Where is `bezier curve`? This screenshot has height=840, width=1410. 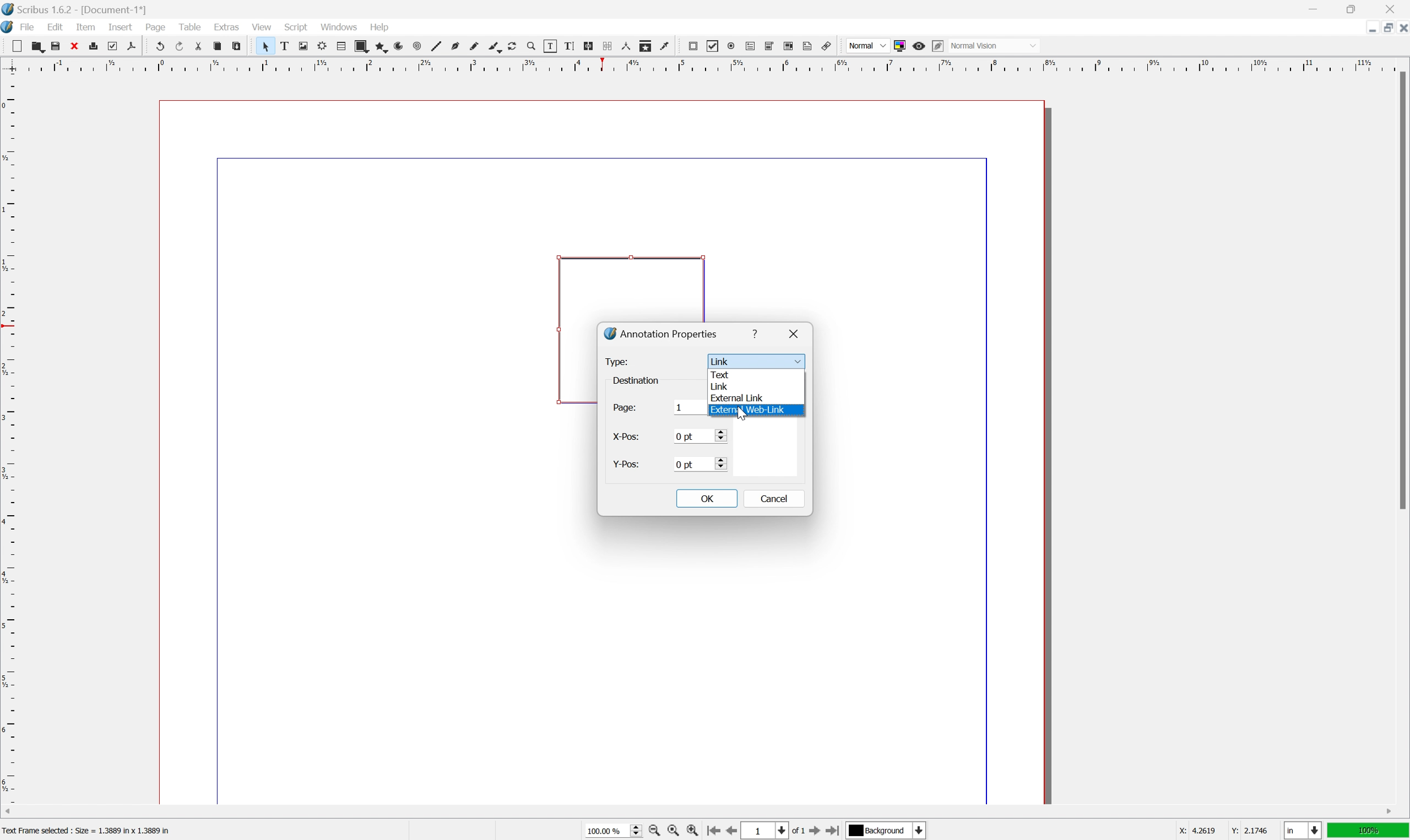 bezier curve is located at coordinates (455, 46).